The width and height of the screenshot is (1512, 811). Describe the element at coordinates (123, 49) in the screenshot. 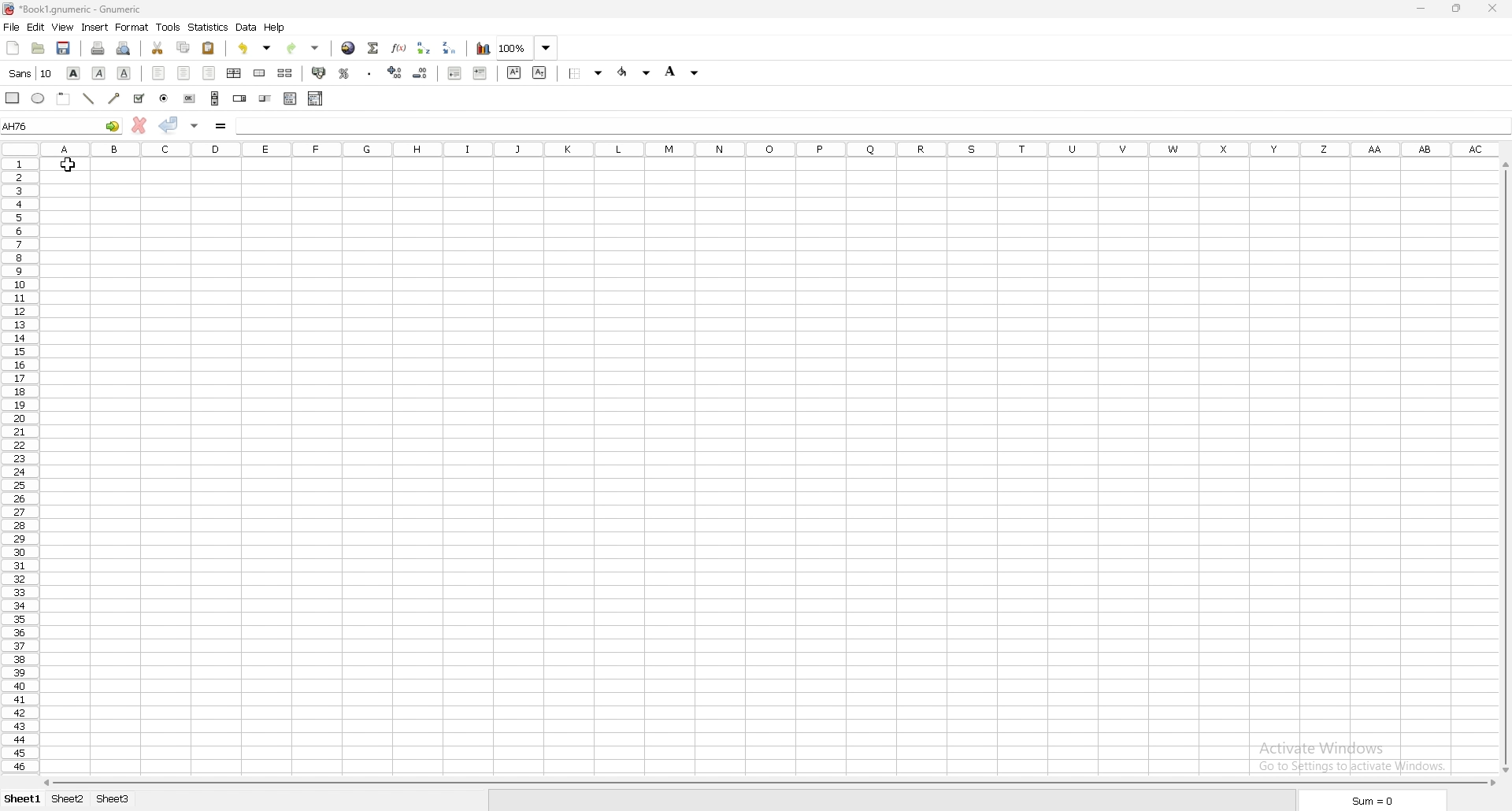

I see `print preview` at that location.